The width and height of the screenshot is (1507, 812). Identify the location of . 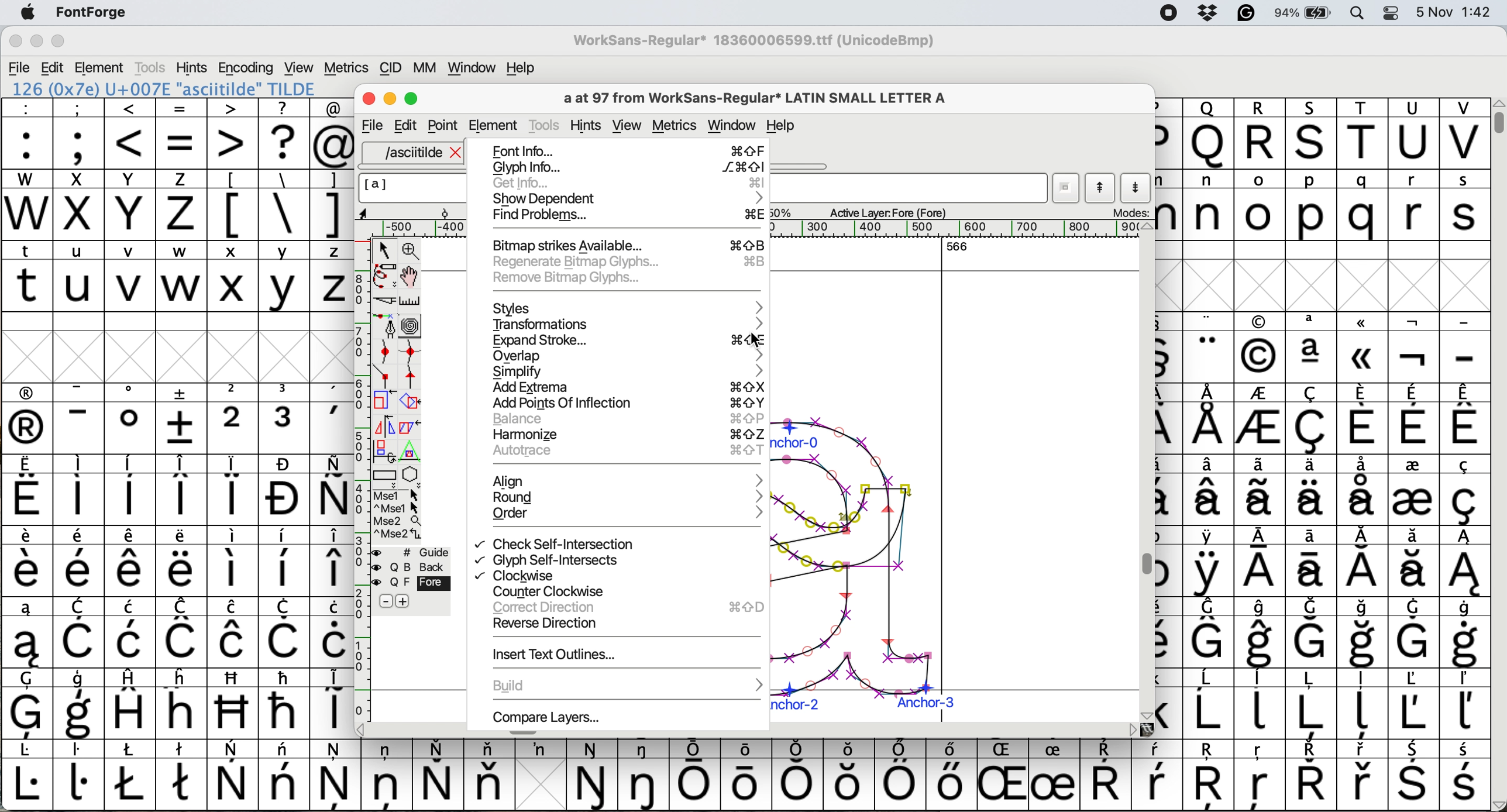
(1259, 348).